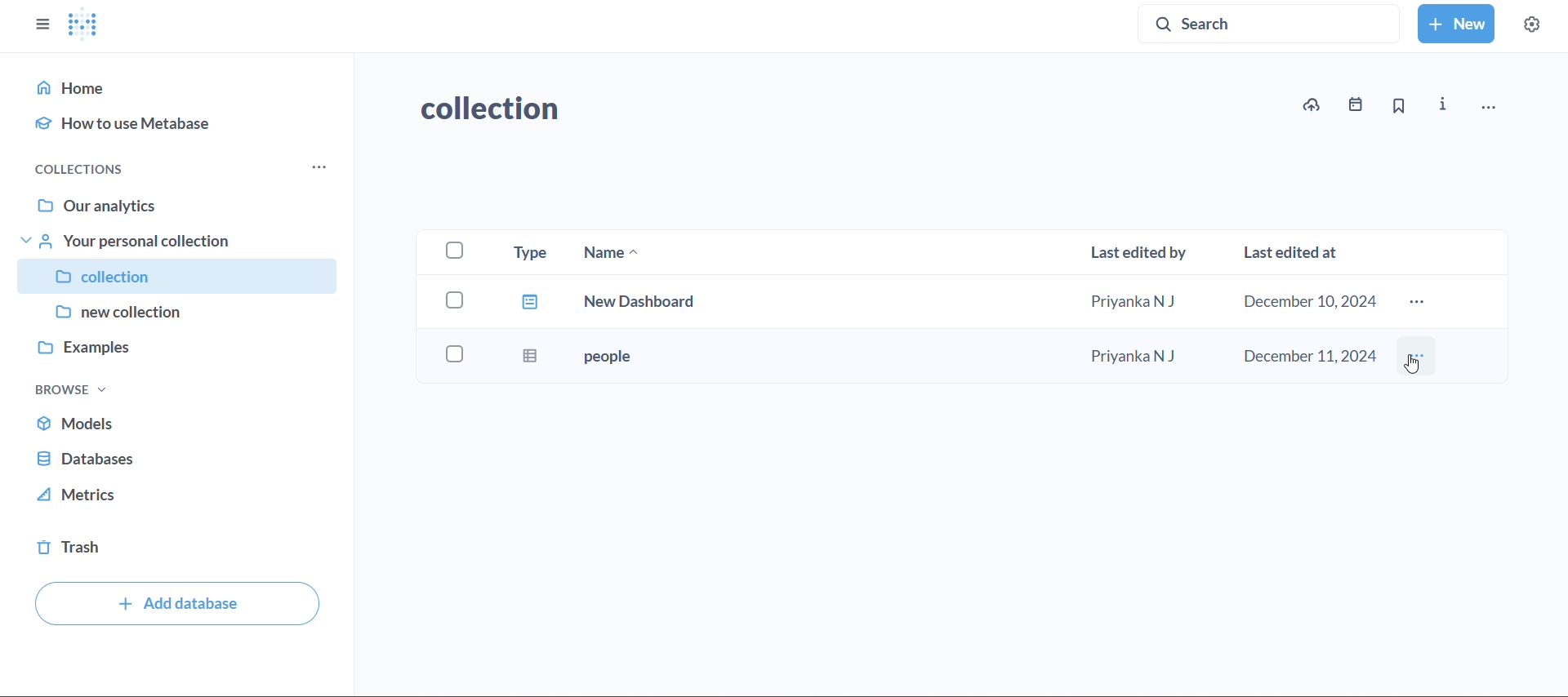 This screenshot has width=1568, height=697. I want to click on browse, so click(70, 389).